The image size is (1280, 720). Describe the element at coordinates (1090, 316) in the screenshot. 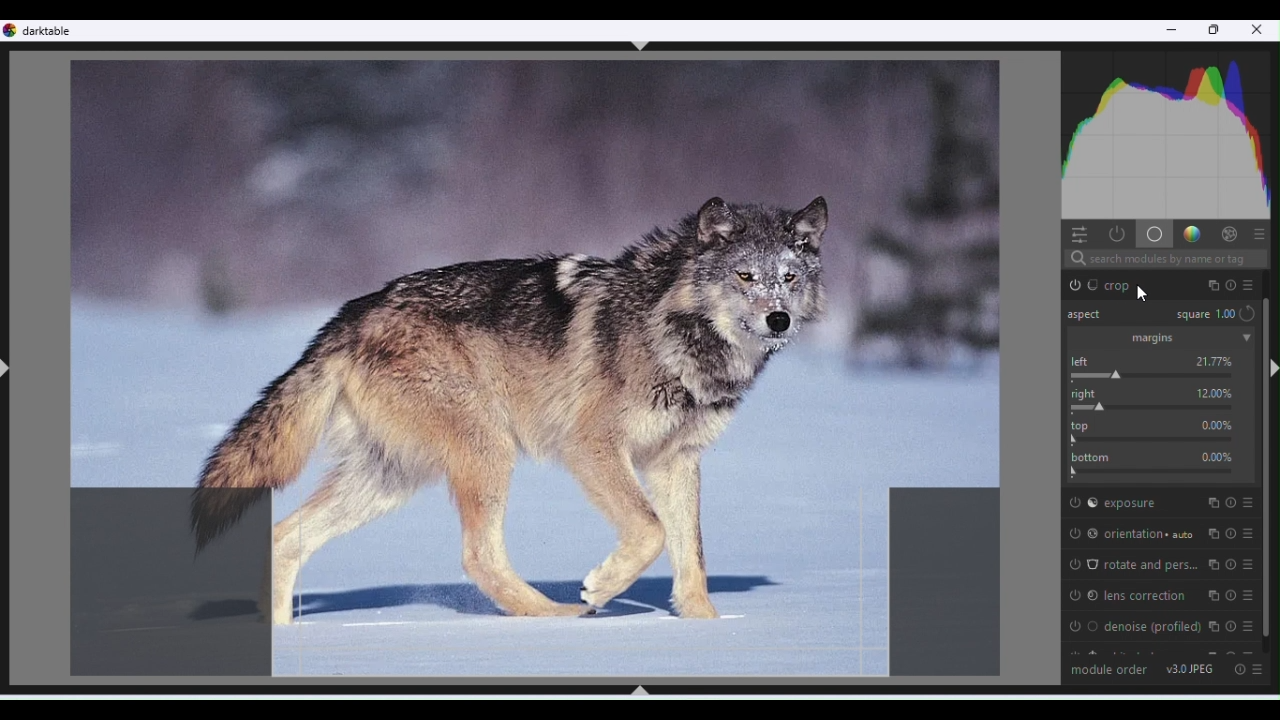

I see `Aspect` at that location.